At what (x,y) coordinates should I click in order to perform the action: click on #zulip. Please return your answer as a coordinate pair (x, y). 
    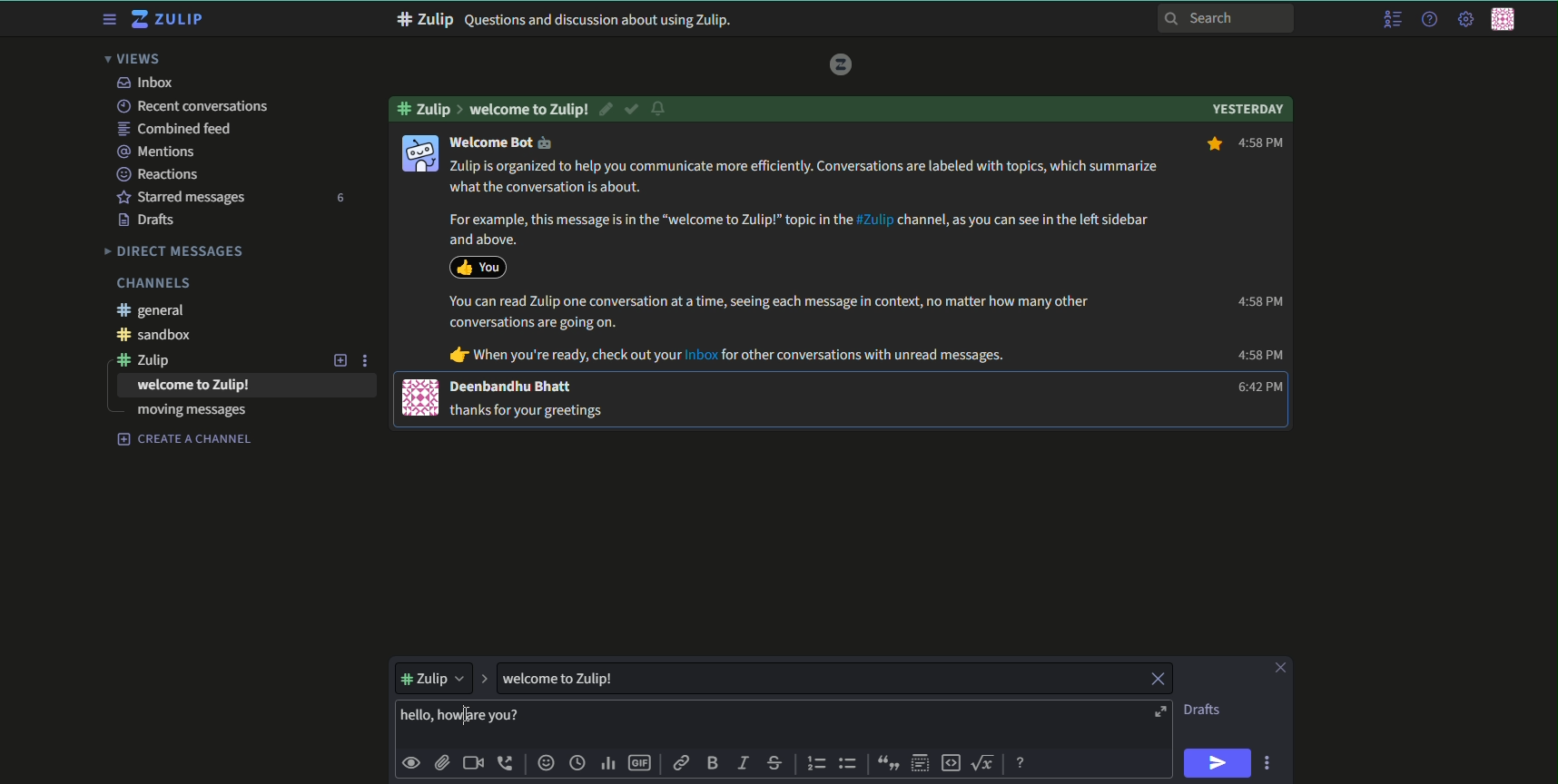
    Looking at the image, I should click on (428, 107).